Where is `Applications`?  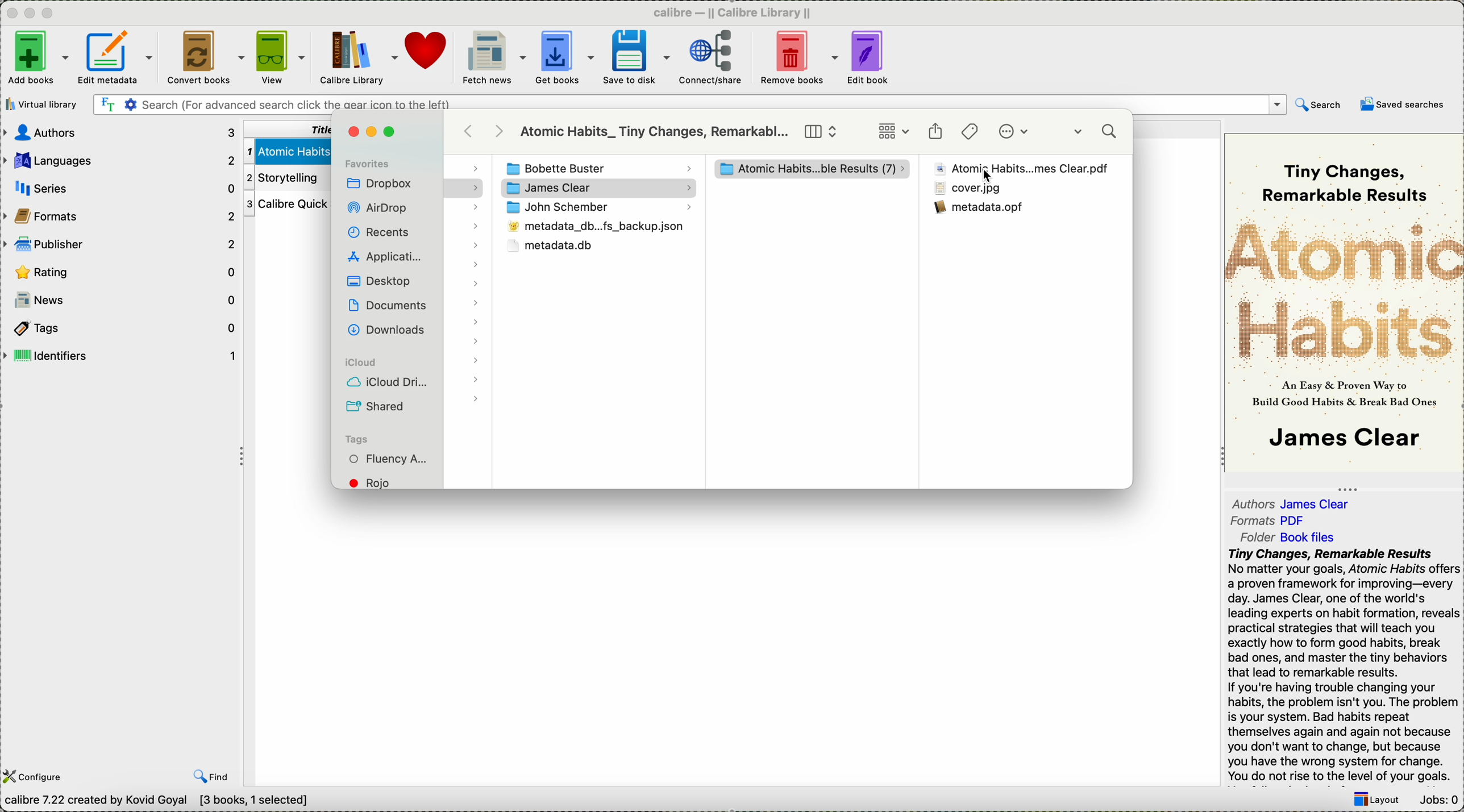
Applications is located at coordinates (383, 255).